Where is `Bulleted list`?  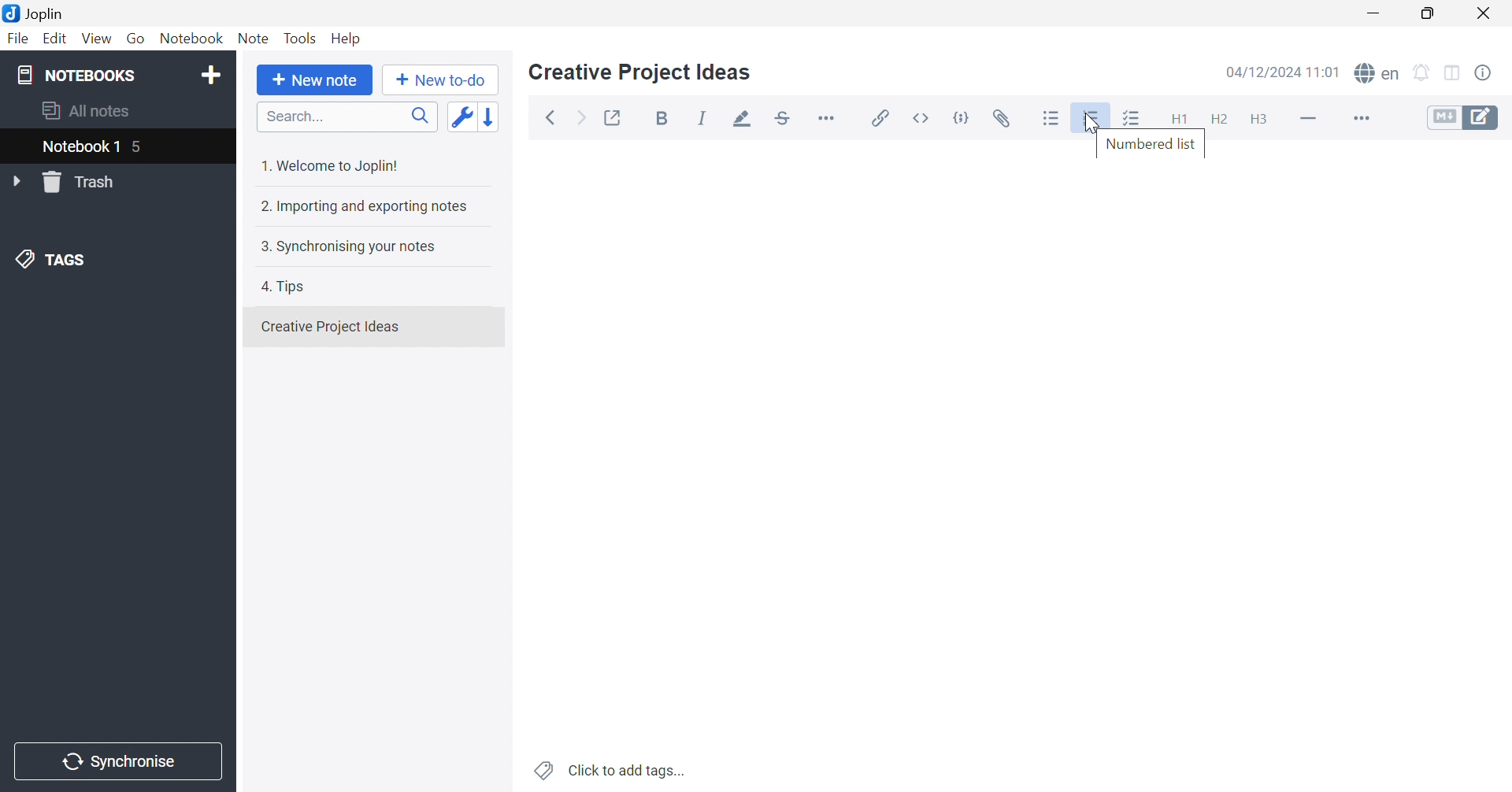 Bulleted list is located at coordinates (1050, 117).